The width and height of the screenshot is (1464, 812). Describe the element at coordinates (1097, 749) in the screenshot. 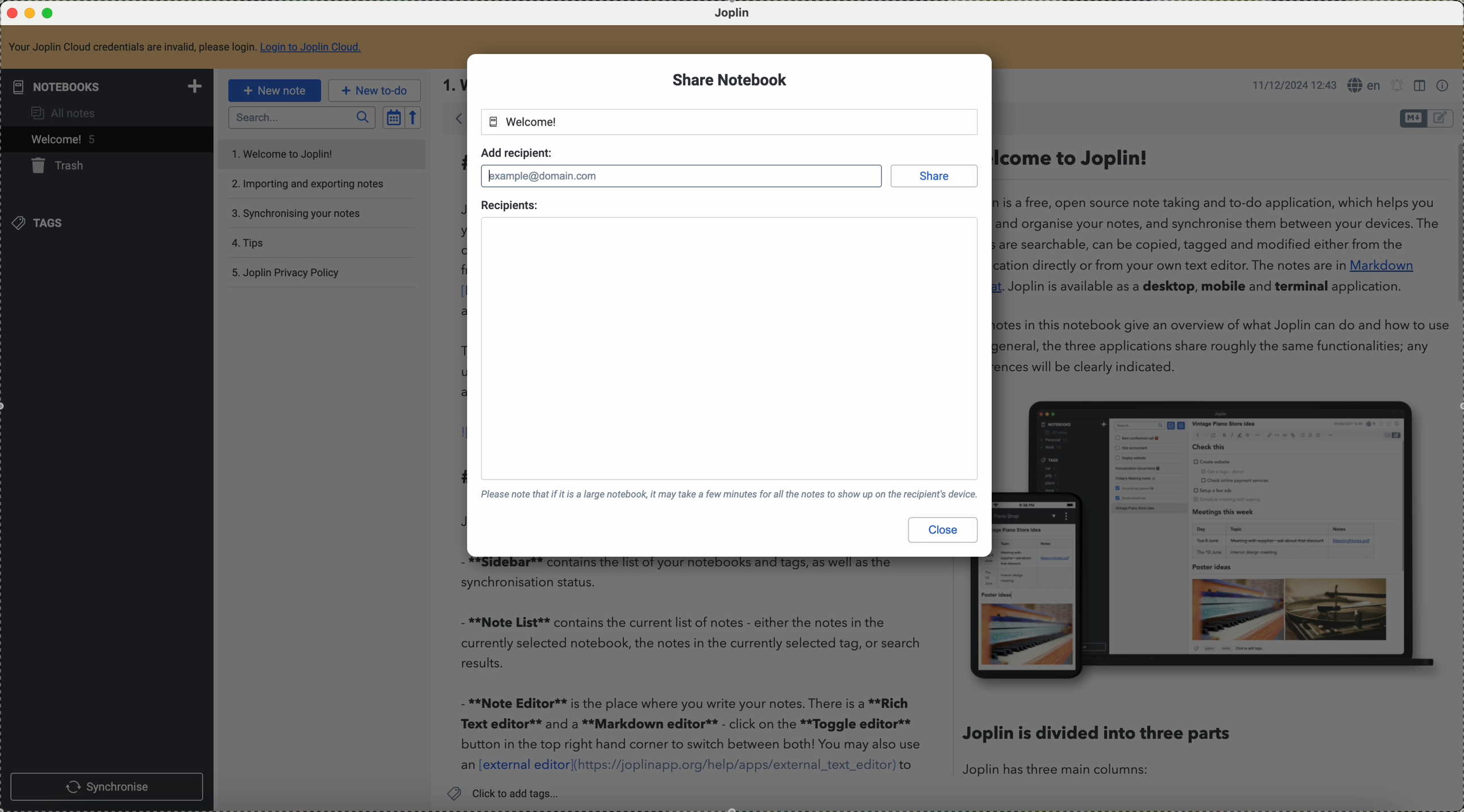

I see `Joplin is divided into three parts Joplin has three main columns:` at that location.